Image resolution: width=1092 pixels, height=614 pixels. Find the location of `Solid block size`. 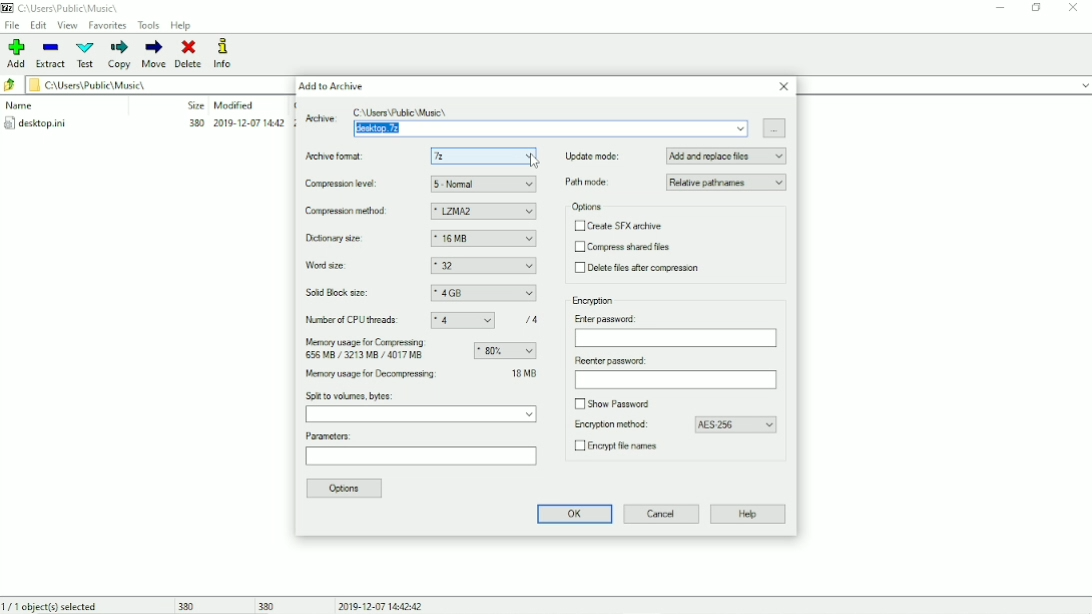

Solid block size is located at coordinates (421, 293).